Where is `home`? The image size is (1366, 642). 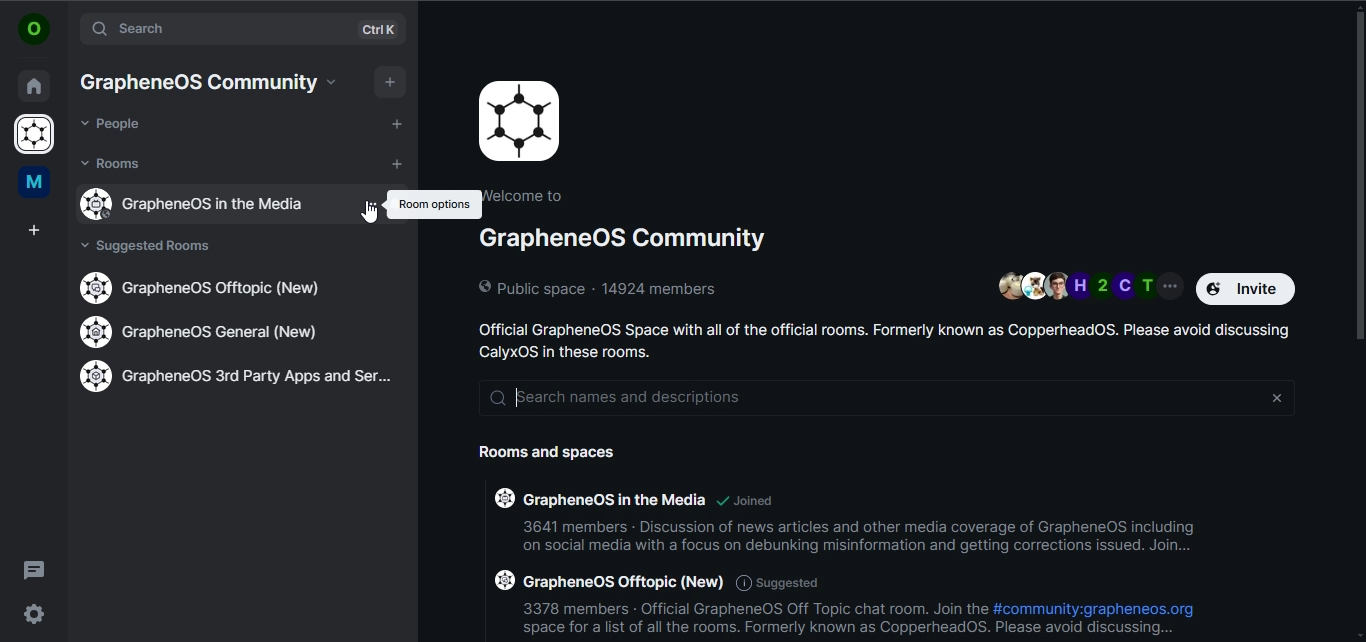 home is located at coordinates (33, 83).